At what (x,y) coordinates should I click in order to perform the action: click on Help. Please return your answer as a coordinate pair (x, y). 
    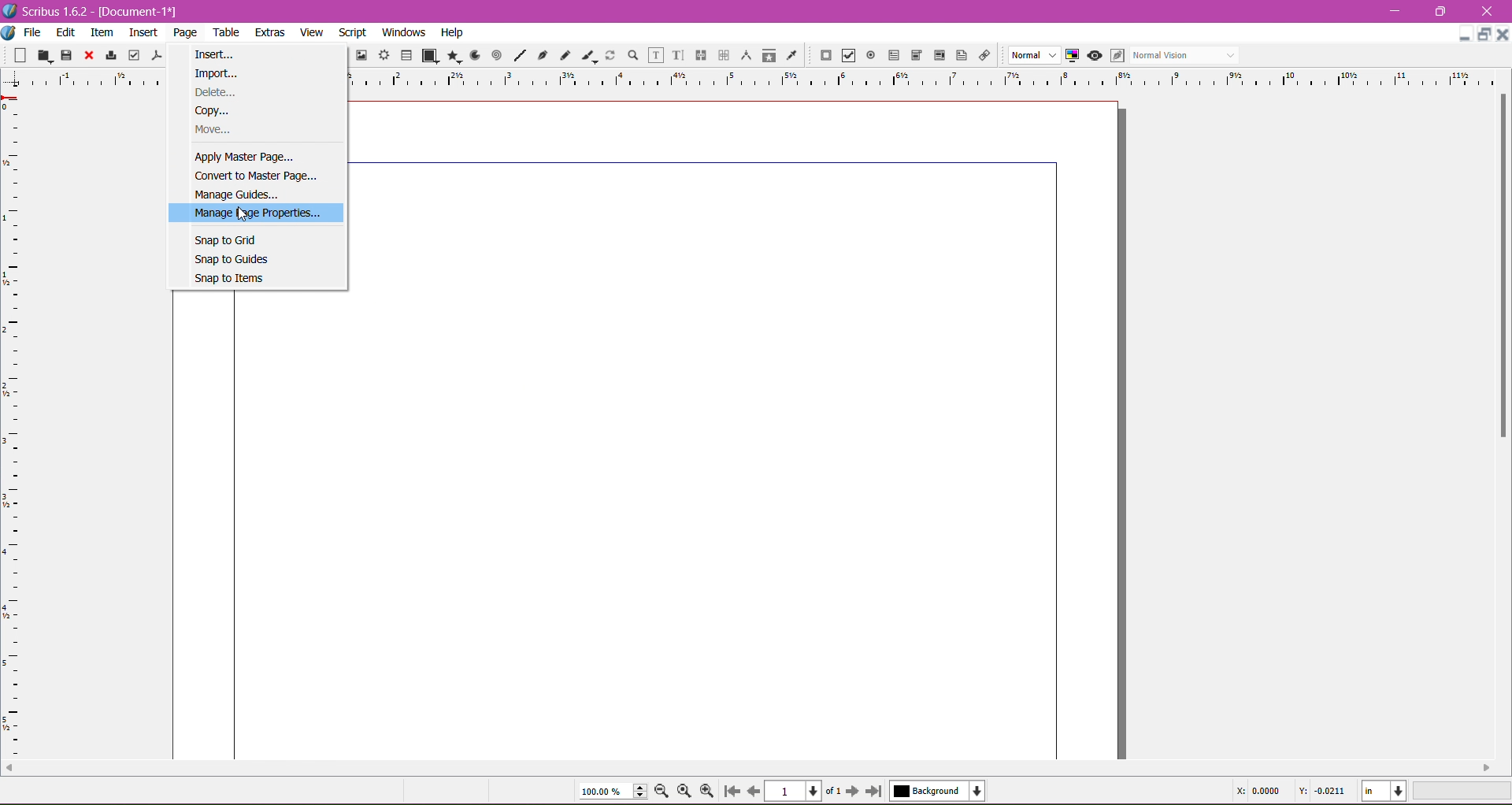
    Looking at the image, I should click on (453, 32).